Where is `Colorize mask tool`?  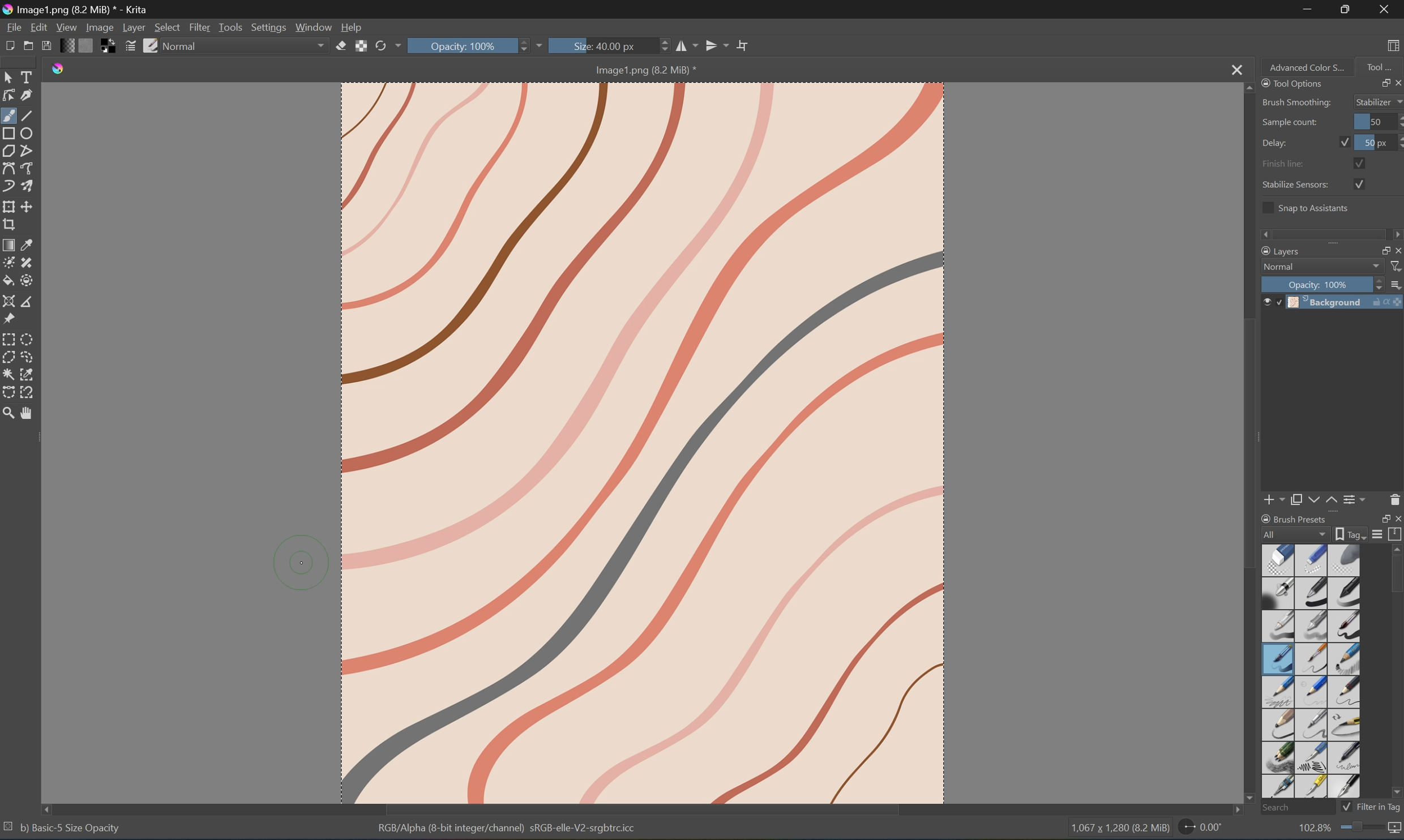 Colorize mask tool is located at coordinates (9, 262).